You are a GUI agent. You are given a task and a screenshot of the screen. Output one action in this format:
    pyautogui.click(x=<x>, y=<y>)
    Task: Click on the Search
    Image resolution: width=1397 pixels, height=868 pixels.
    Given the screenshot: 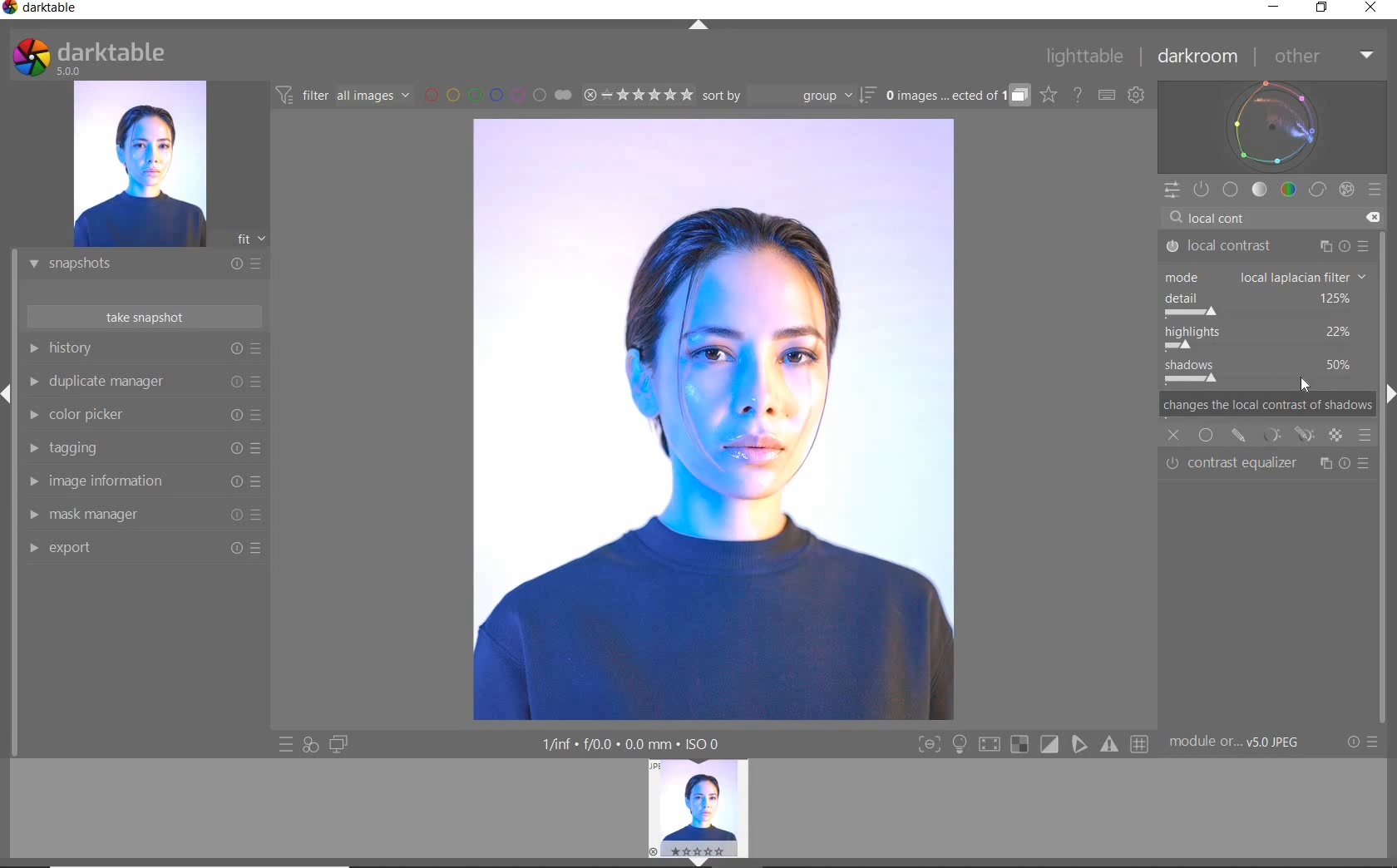 What is the action you would take?
    pyautogui.click(x=1176, y=218)
    